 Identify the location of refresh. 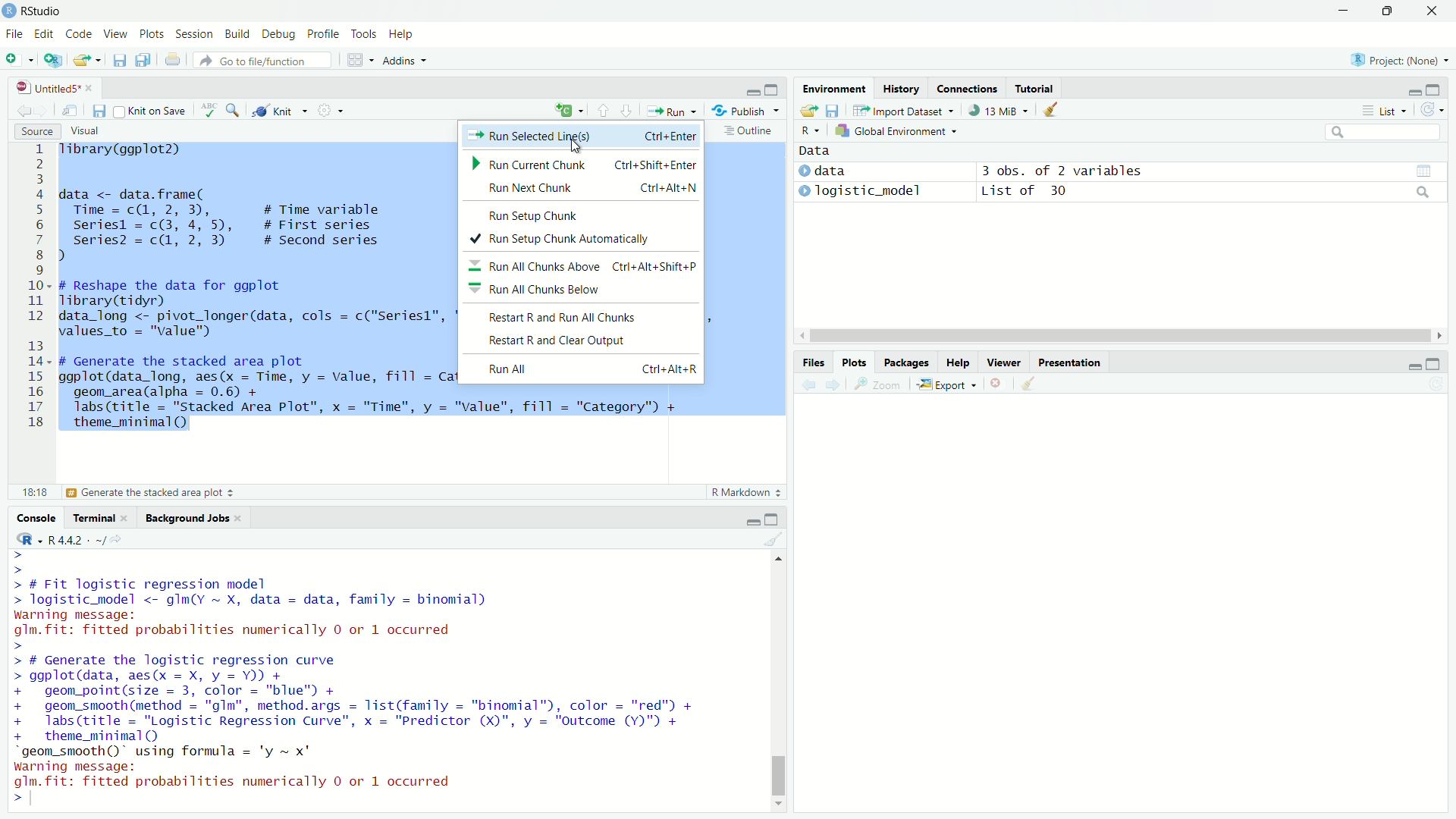
(1430, 111).